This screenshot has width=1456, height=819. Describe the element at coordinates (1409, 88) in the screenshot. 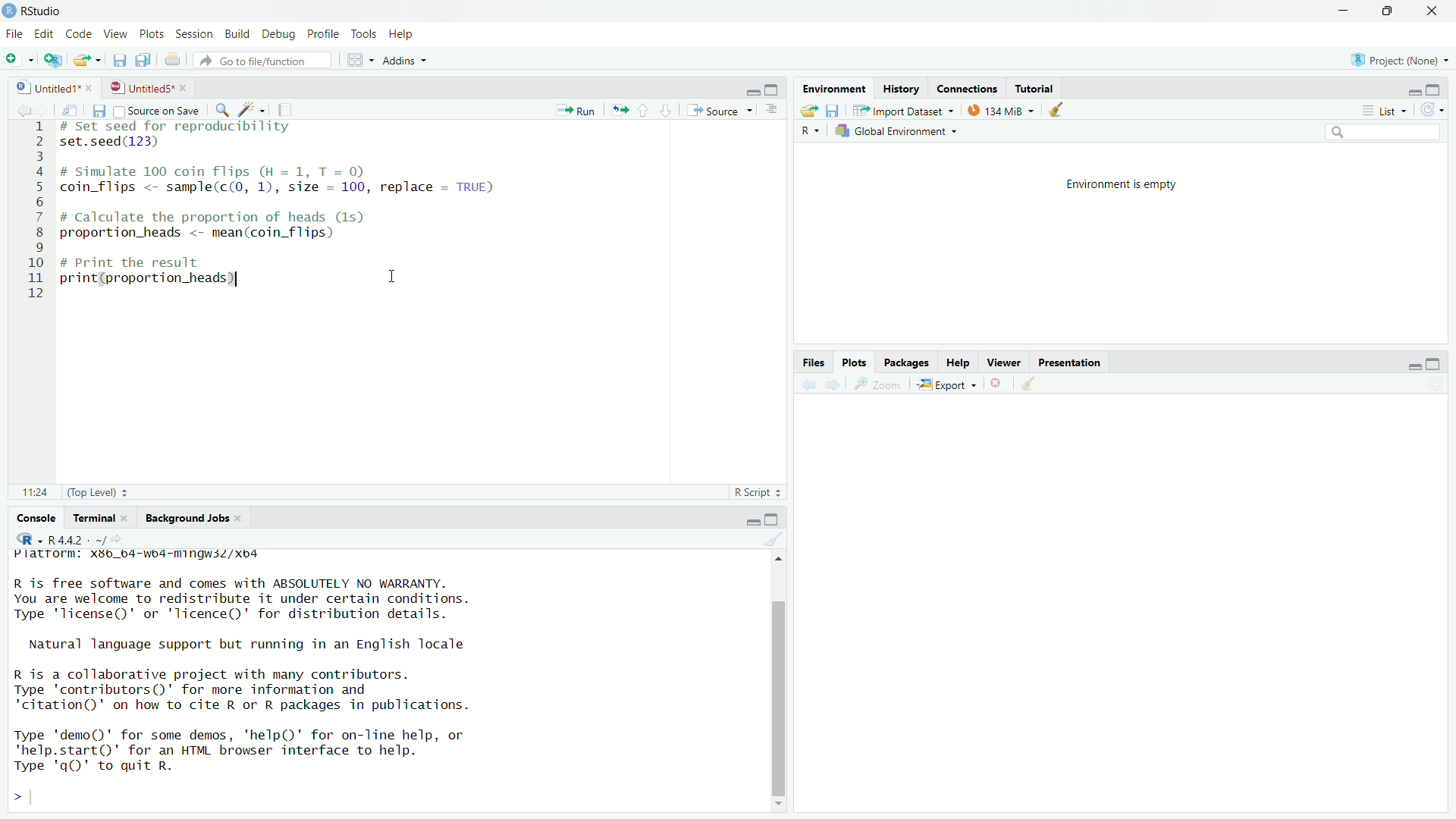

I see `minimize` at that location.